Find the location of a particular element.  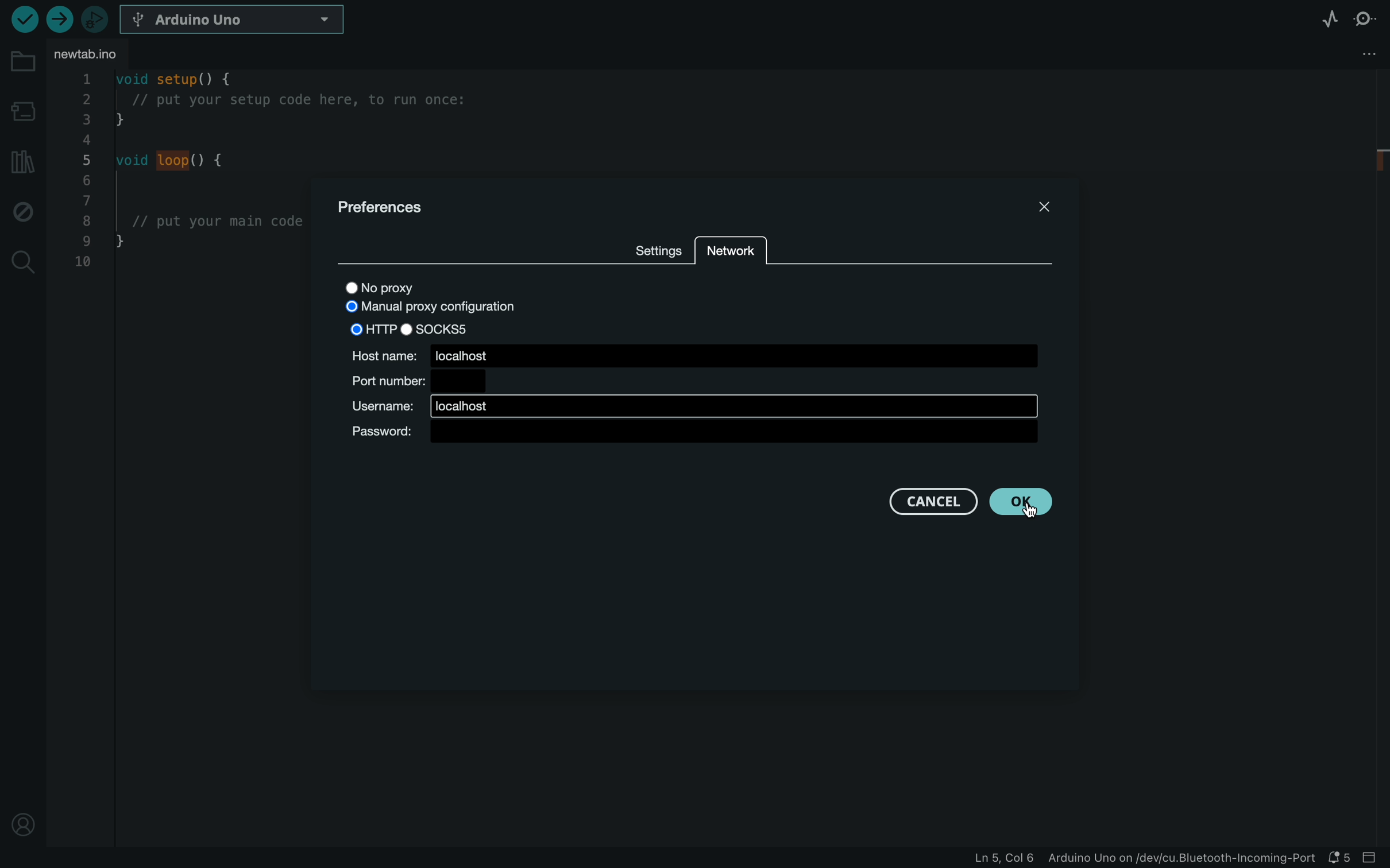

network is located at coordinates (729, 255).